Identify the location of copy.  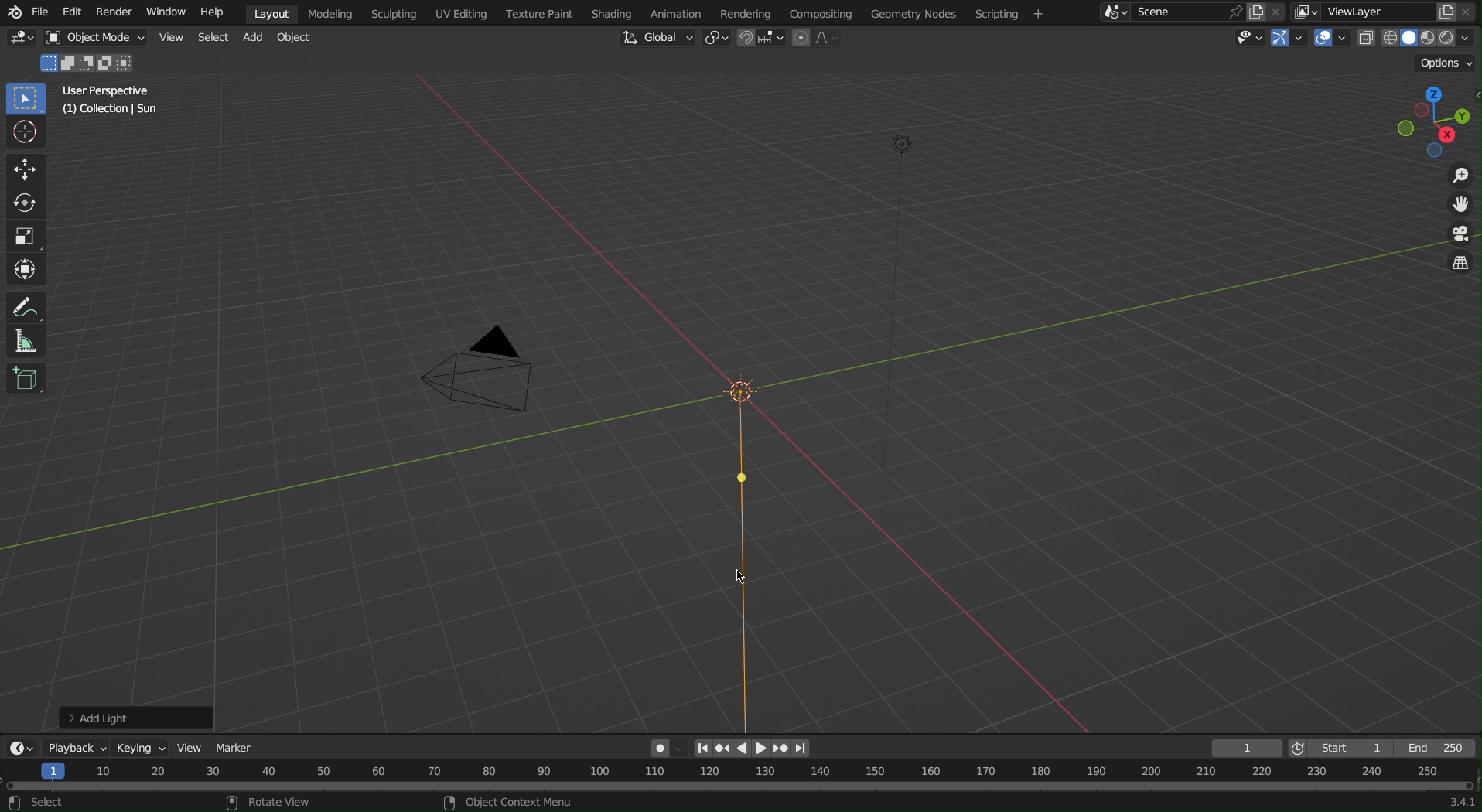
(1255, 12).